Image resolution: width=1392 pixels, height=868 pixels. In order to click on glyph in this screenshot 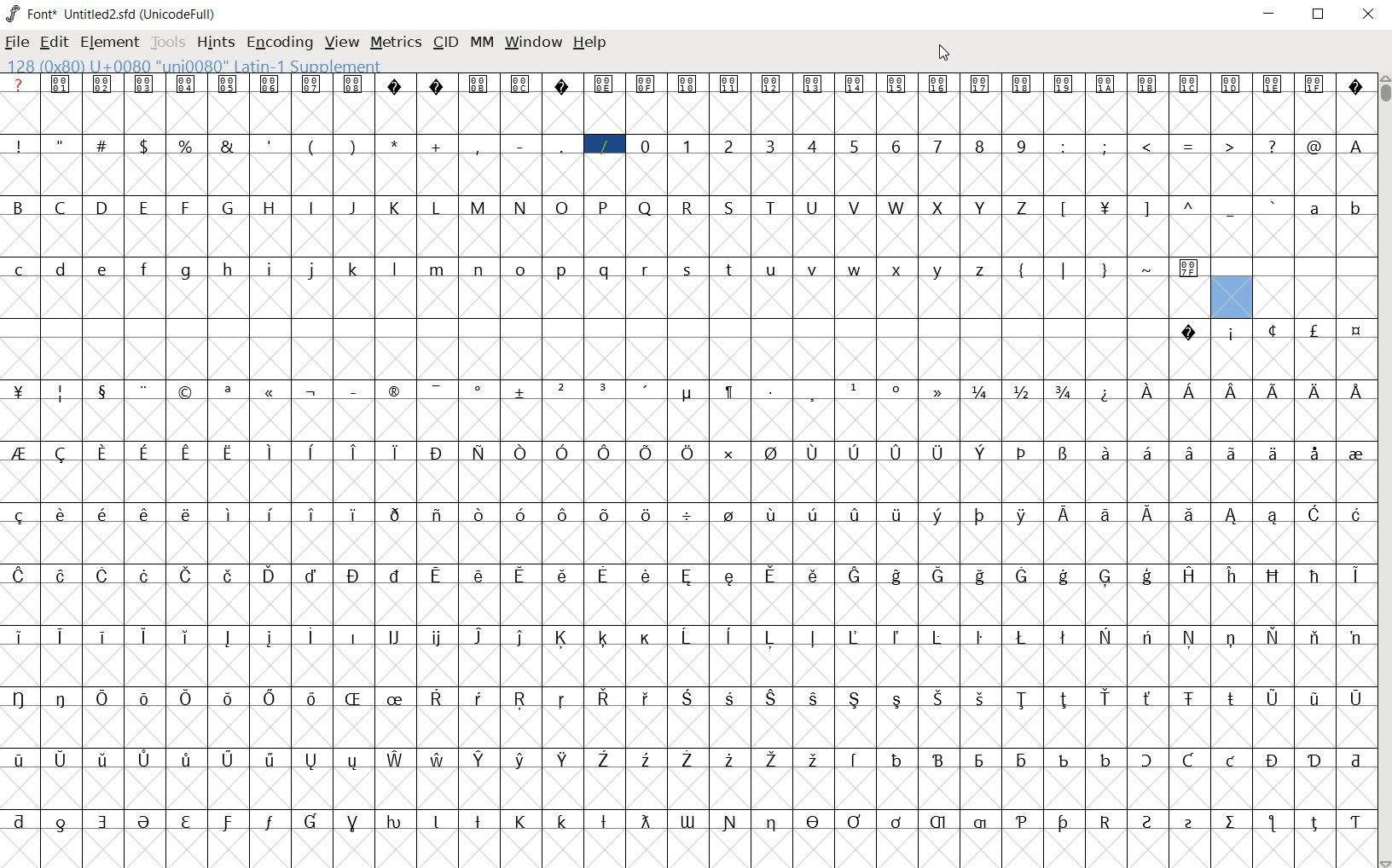, I will do `click(1355, 455)`.